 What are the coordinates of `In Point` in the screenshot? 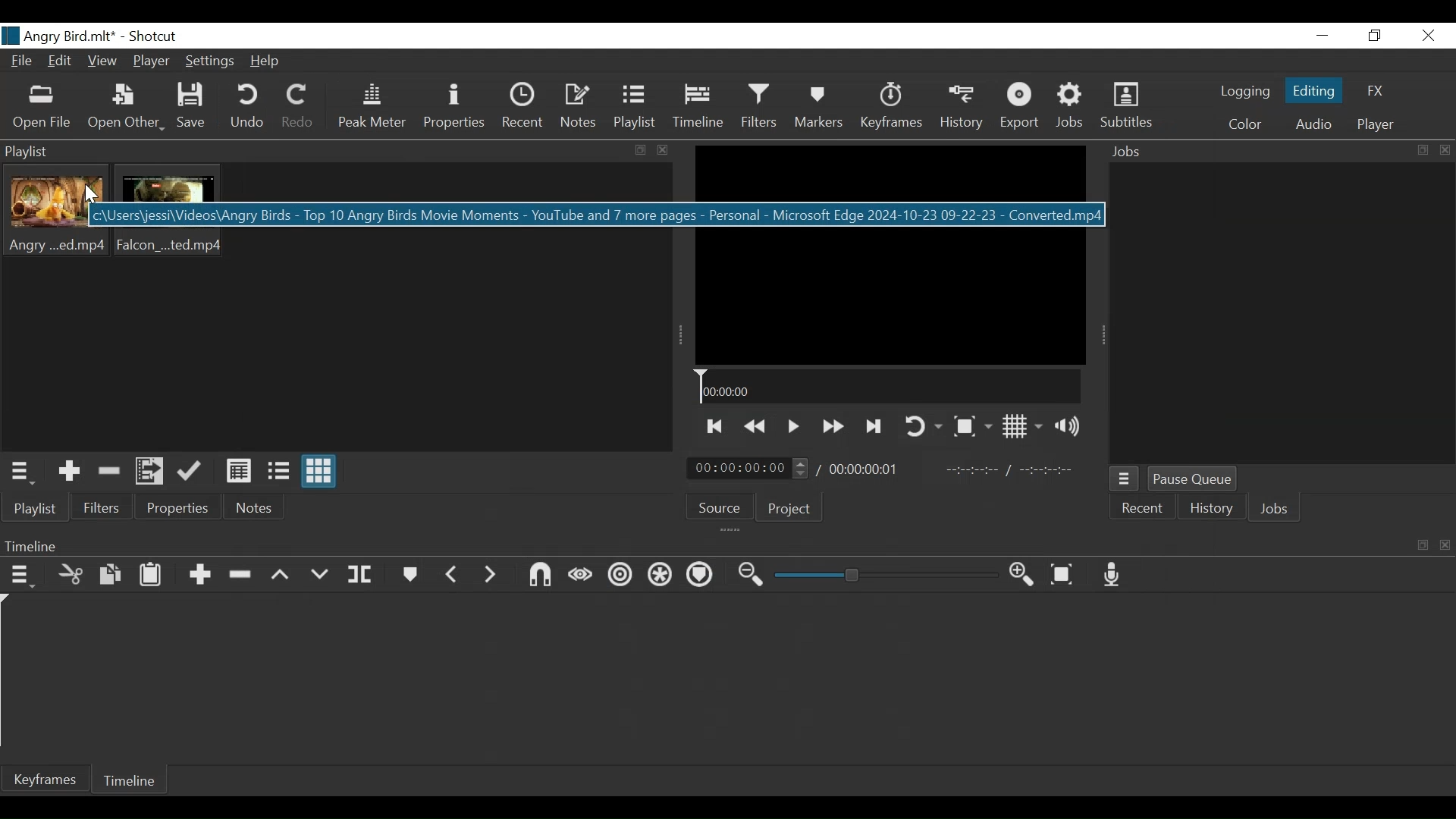 It's located at (1012, 471).